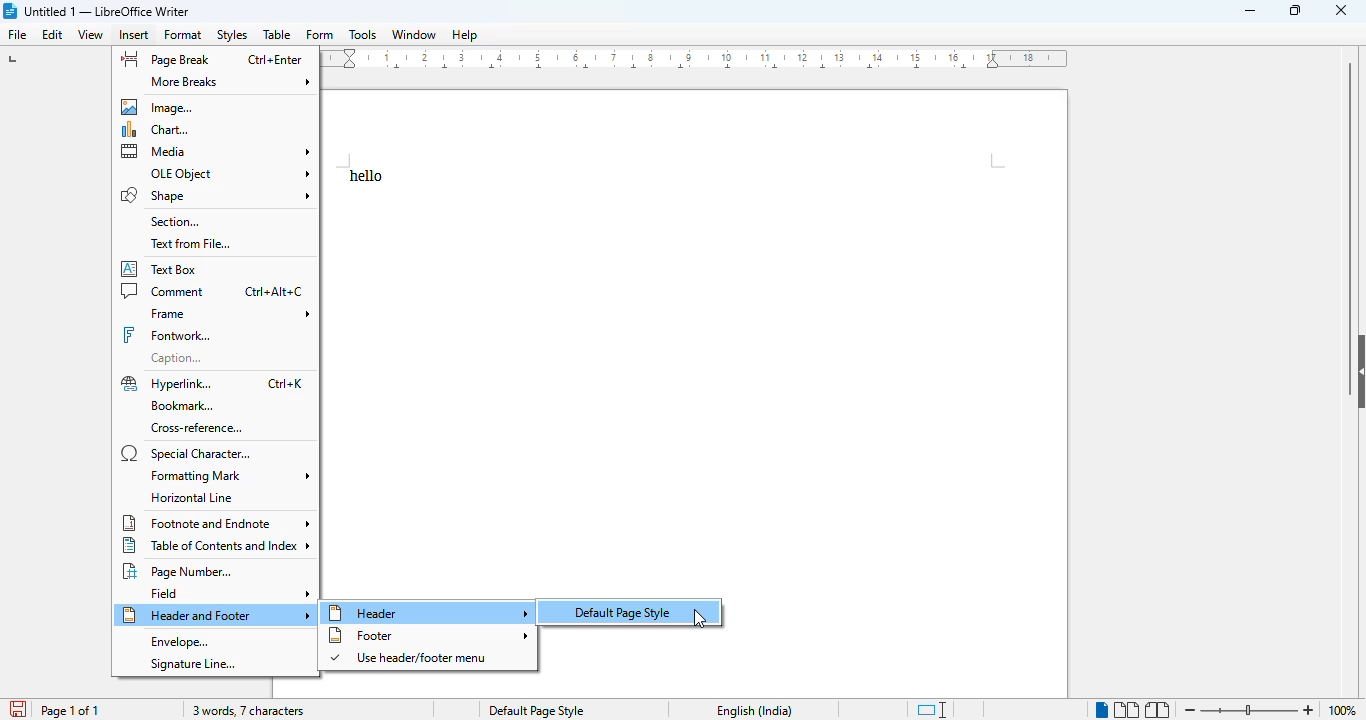  What do you see at coordinates (191, 665) in the screenshot?
I see `signature line` at bounding box center [191, 665].